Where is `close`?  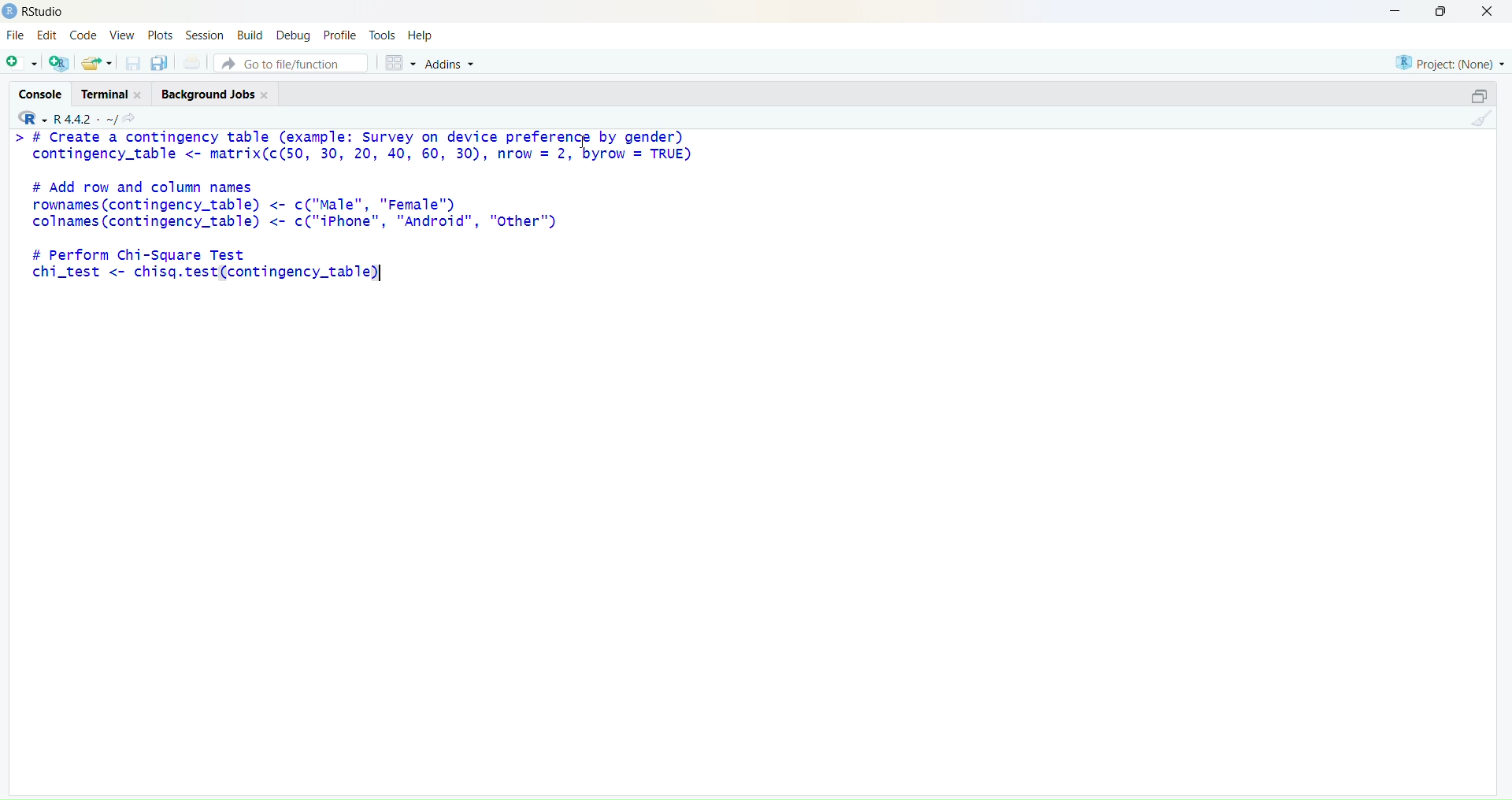
close is located at coordinates (1488, 11).